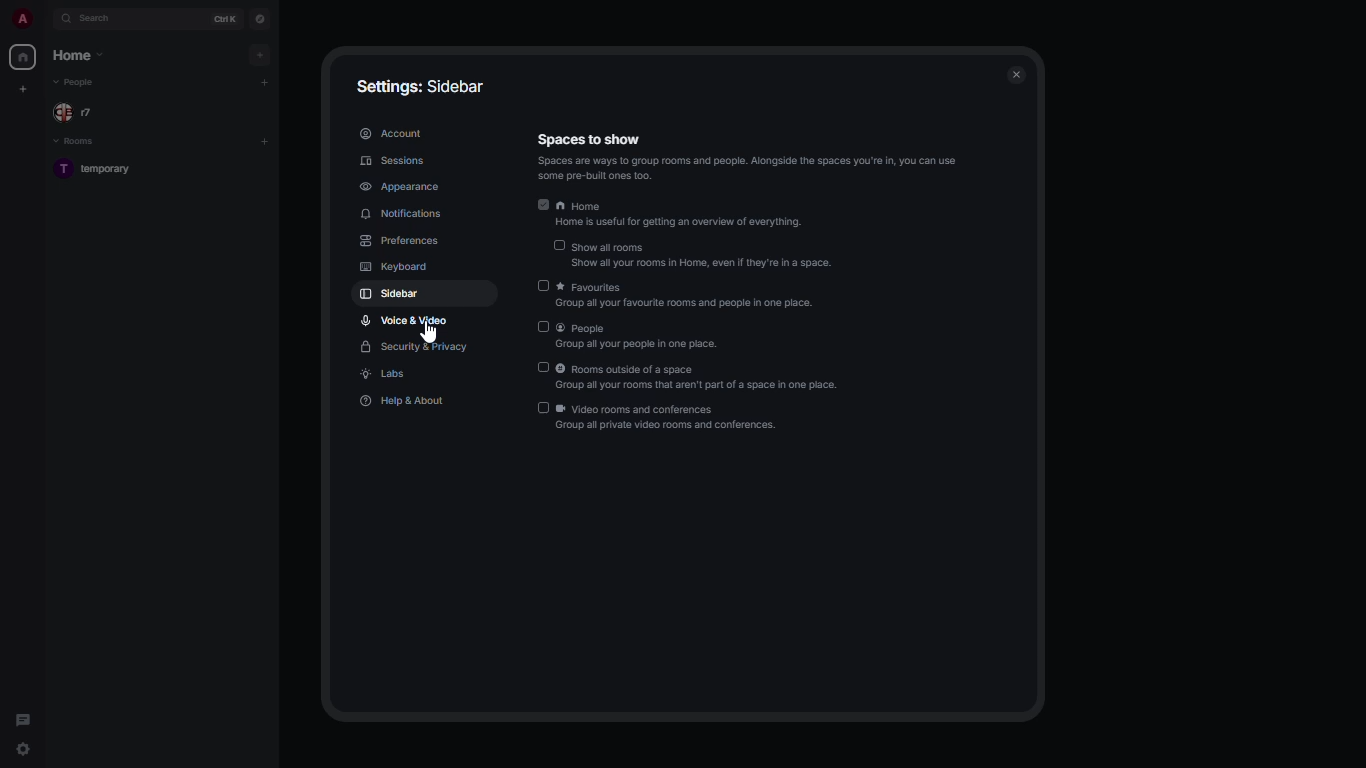 The image size is (1366, 768). I want to click on settings: sidebar, so click(421, 86).